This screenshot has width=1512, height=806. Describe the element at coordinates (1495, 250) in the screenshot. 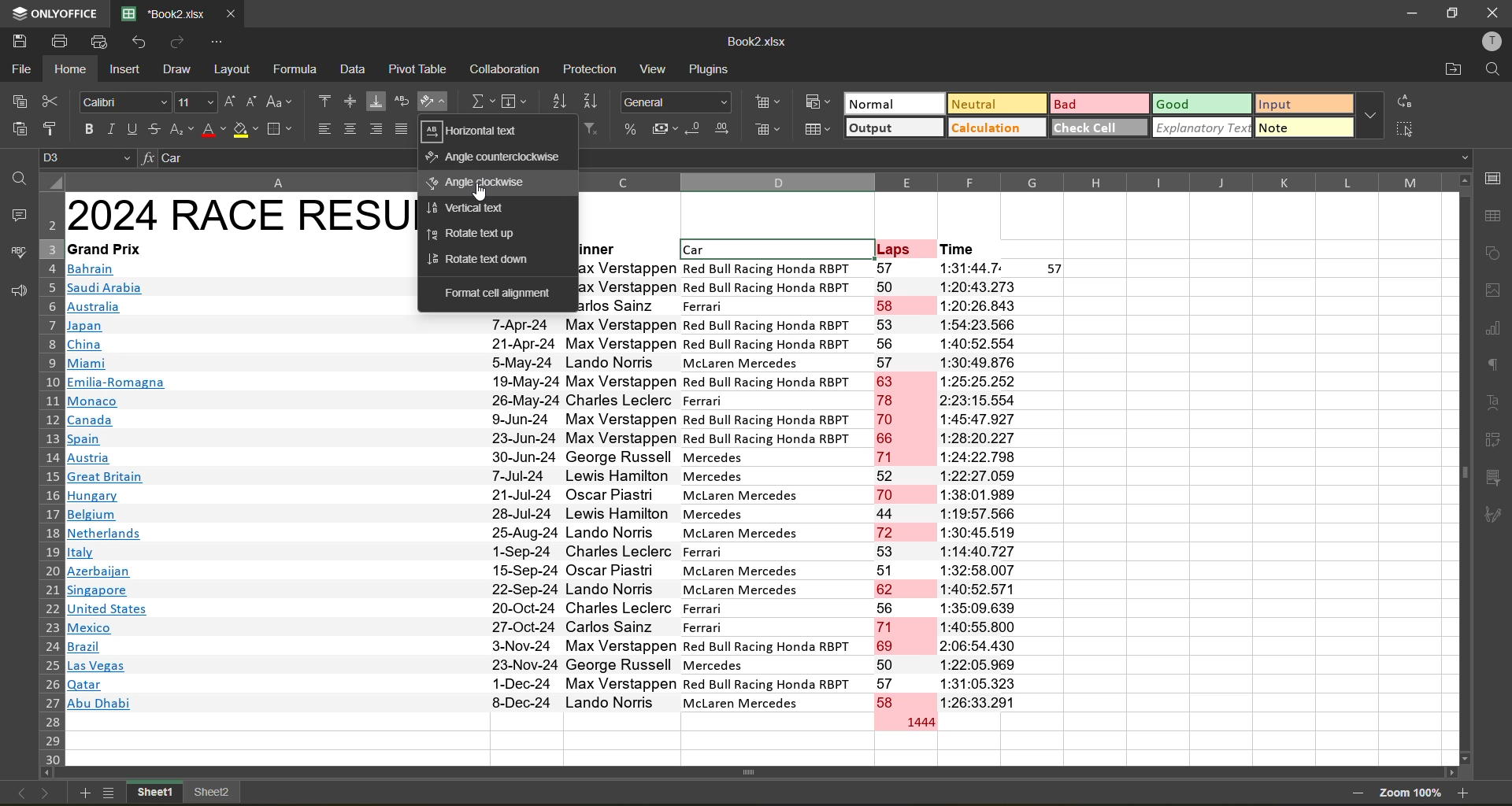

I see `shapes` at that location.